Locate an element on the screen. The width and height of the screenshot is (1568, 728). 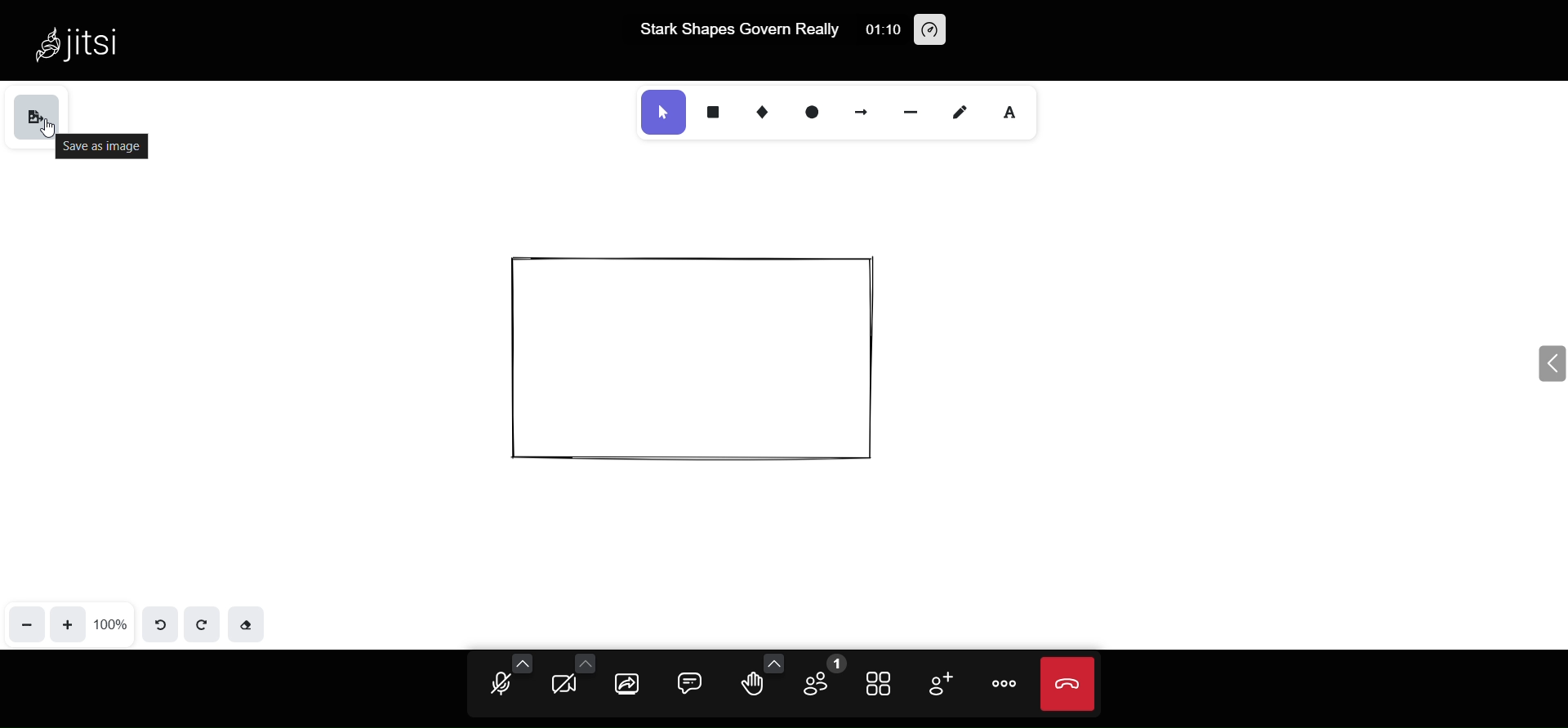
microphone is located at coordinates (504, 686).